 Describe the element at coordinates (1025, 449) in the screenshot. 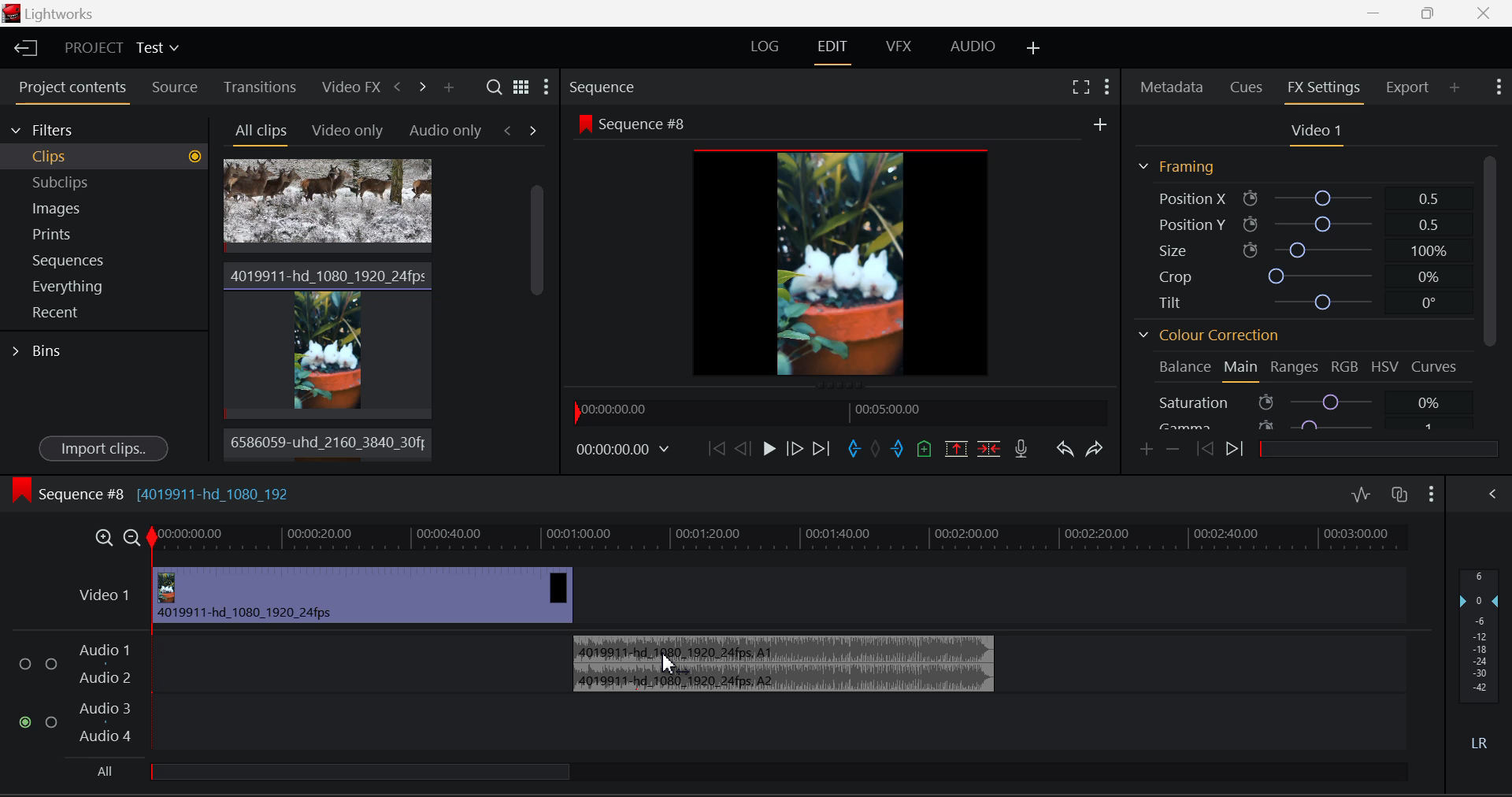

I see `Record Voiceover` at that location.